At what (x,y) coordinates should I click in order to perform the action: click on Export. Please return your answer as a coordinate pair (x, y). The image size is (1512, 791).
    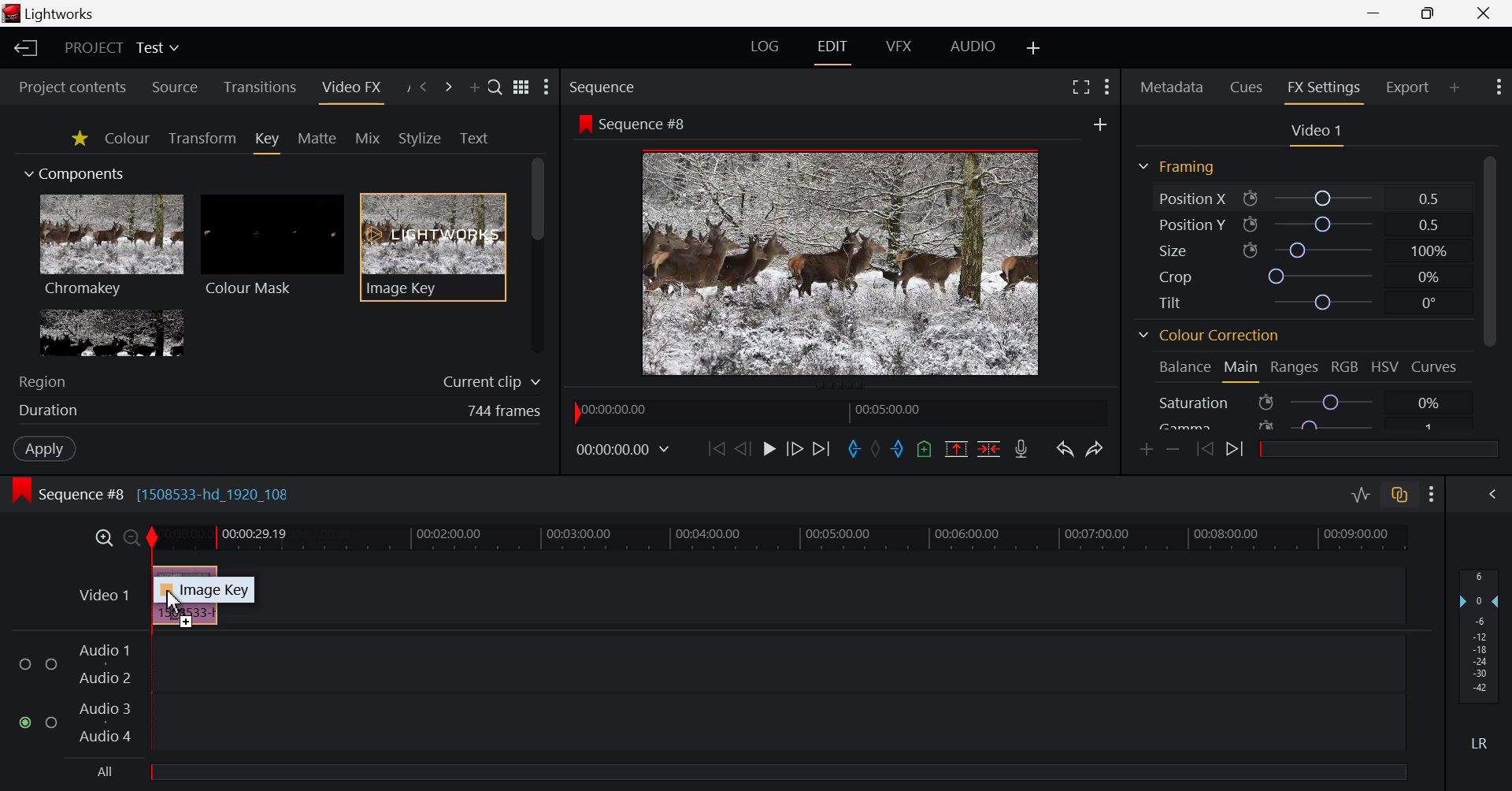
    Looking at the image, I should click on (1405, 87).